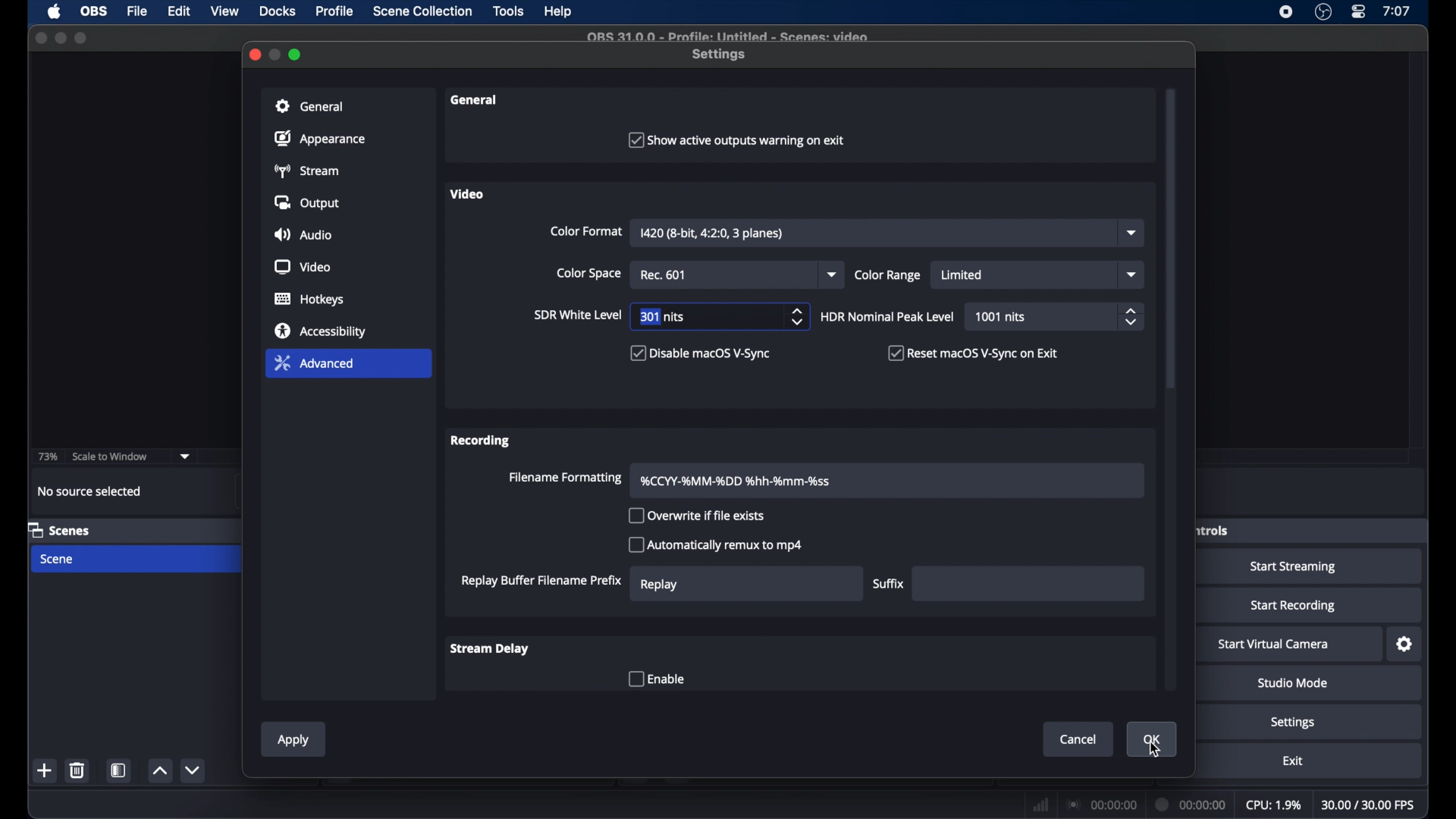 The width and height of the screenshot is (1456, 819). Describe the element at coordinates (278, 11) in the screenshot. I see `docks` at that location.